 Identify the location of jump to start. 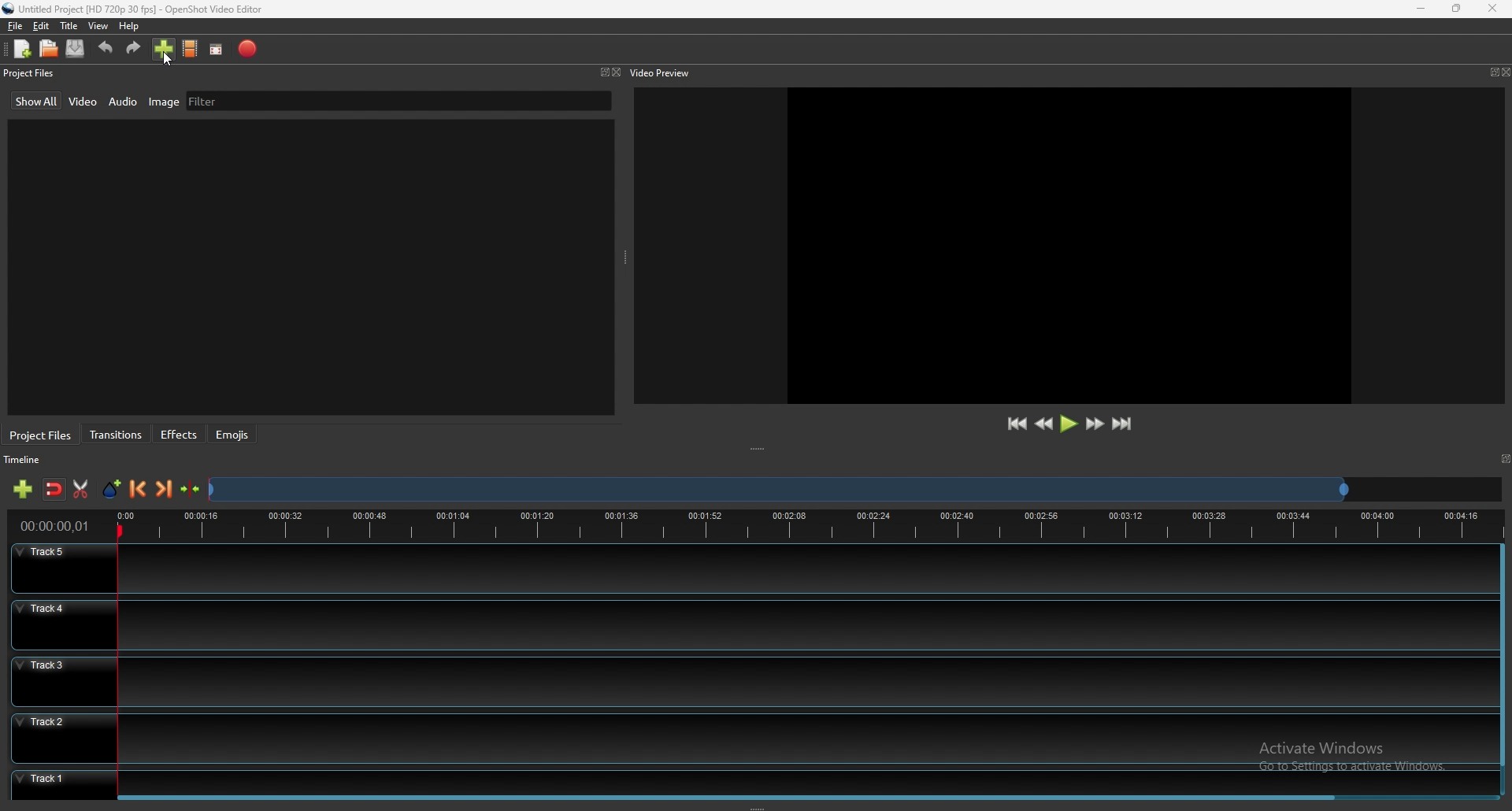
(1016, 424).